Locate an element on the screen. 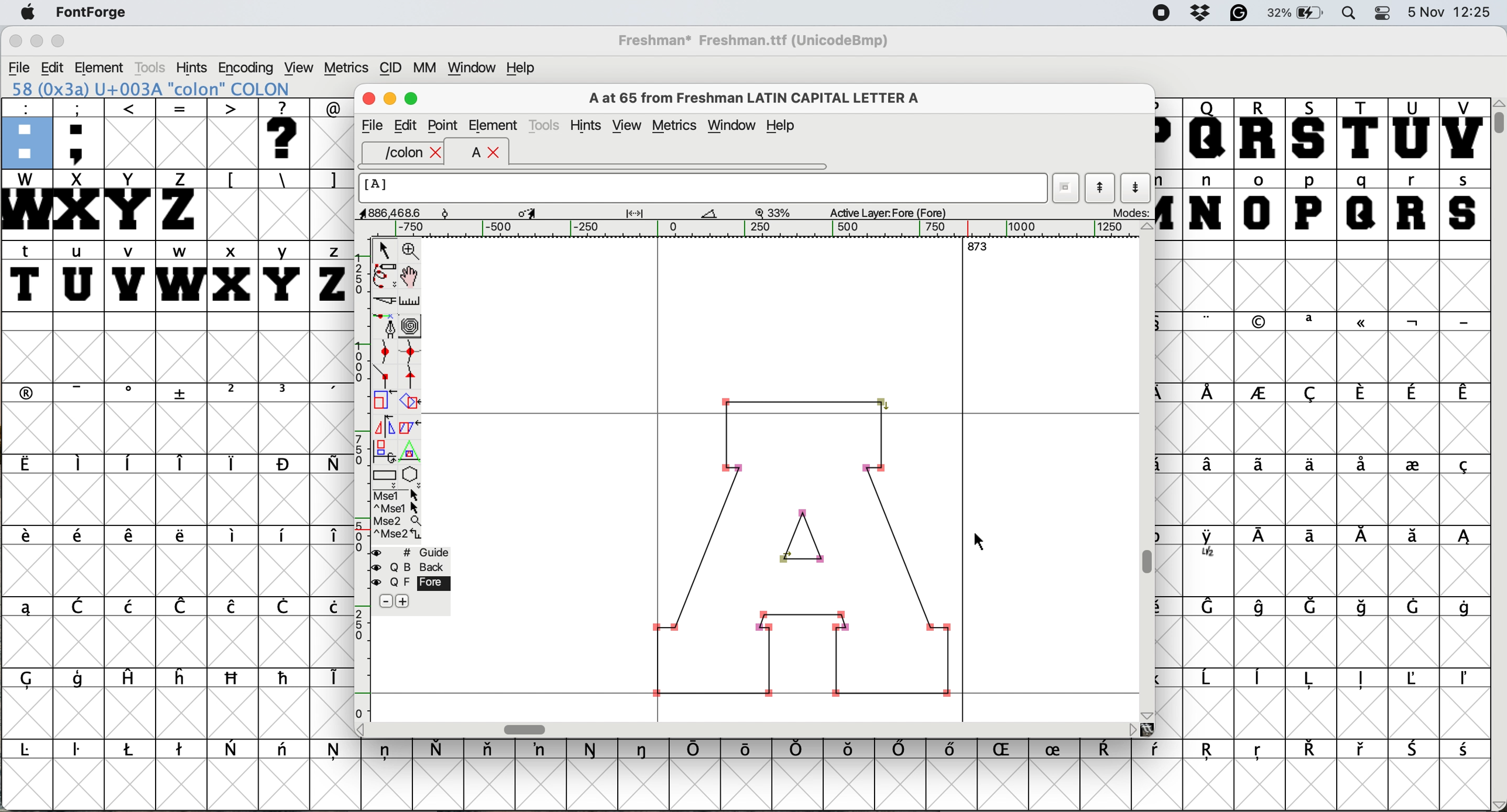  t is located at coordinates (27, 275).